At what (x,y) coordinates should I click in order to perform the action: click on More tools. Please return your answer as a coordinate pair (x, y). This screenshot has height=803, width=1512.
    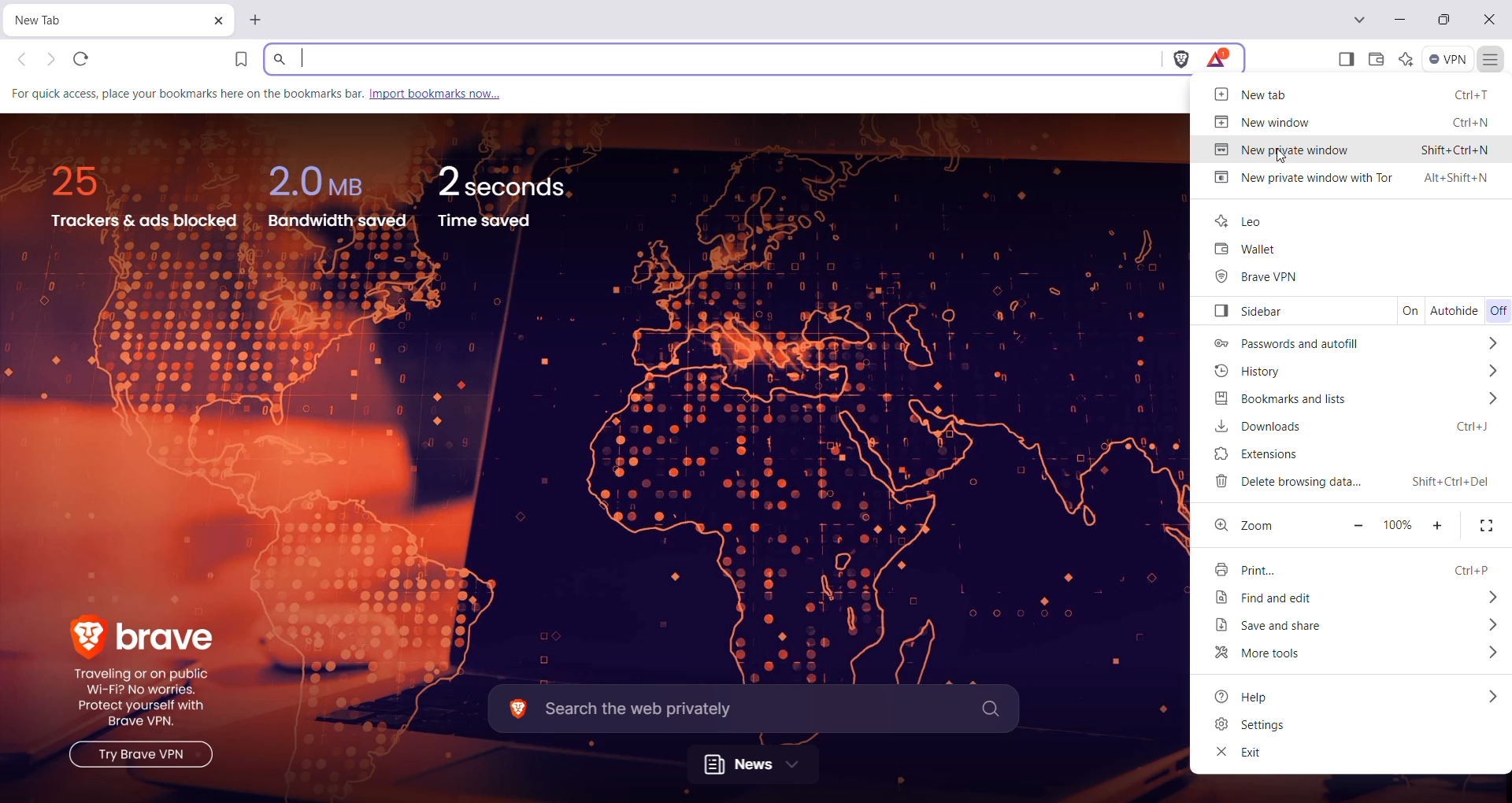
    Looking at the image, I should click on (1270, 654).